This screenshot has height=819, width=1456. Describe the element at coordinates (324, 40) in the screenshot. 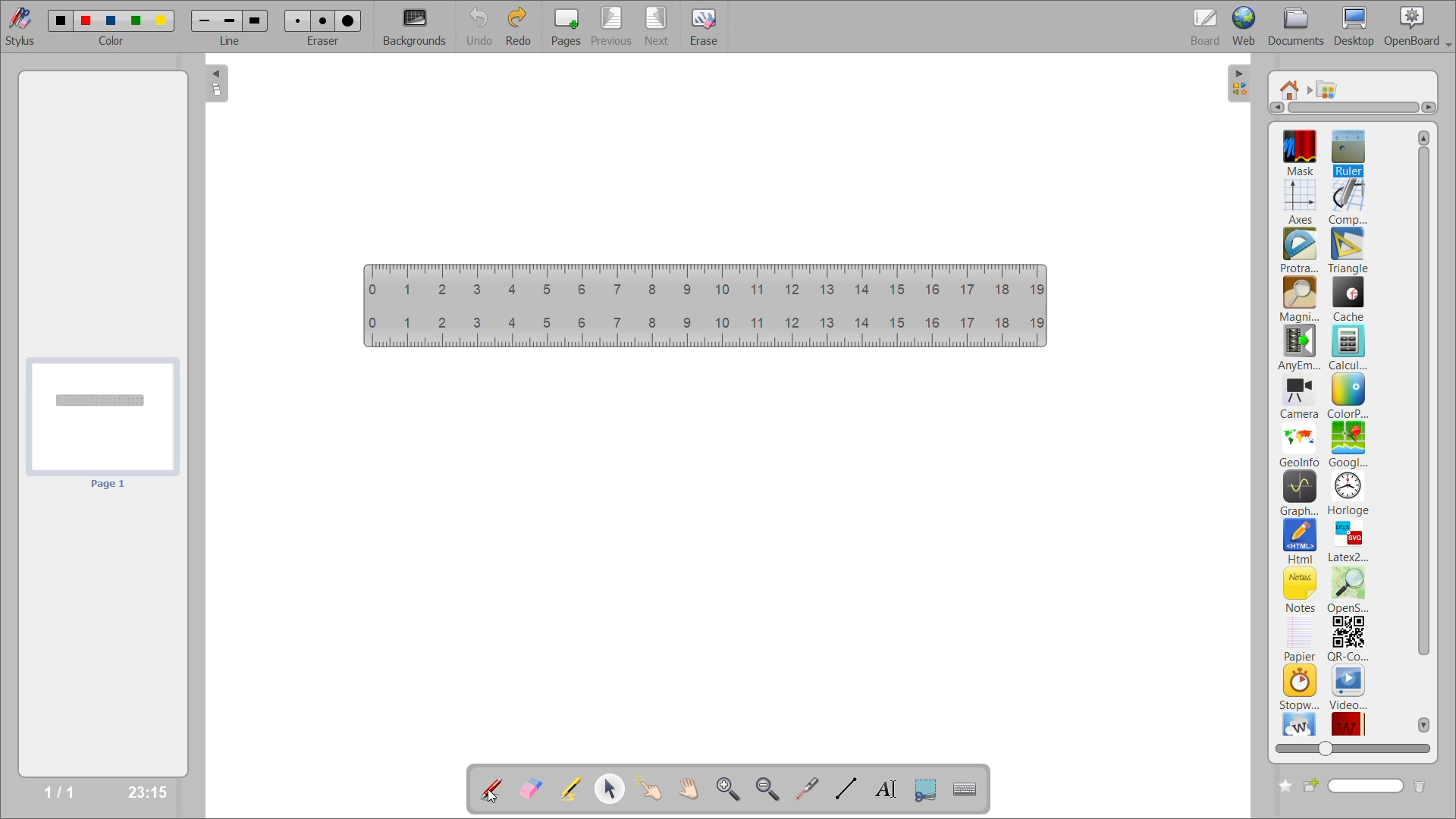

I see `eraser` at that location.